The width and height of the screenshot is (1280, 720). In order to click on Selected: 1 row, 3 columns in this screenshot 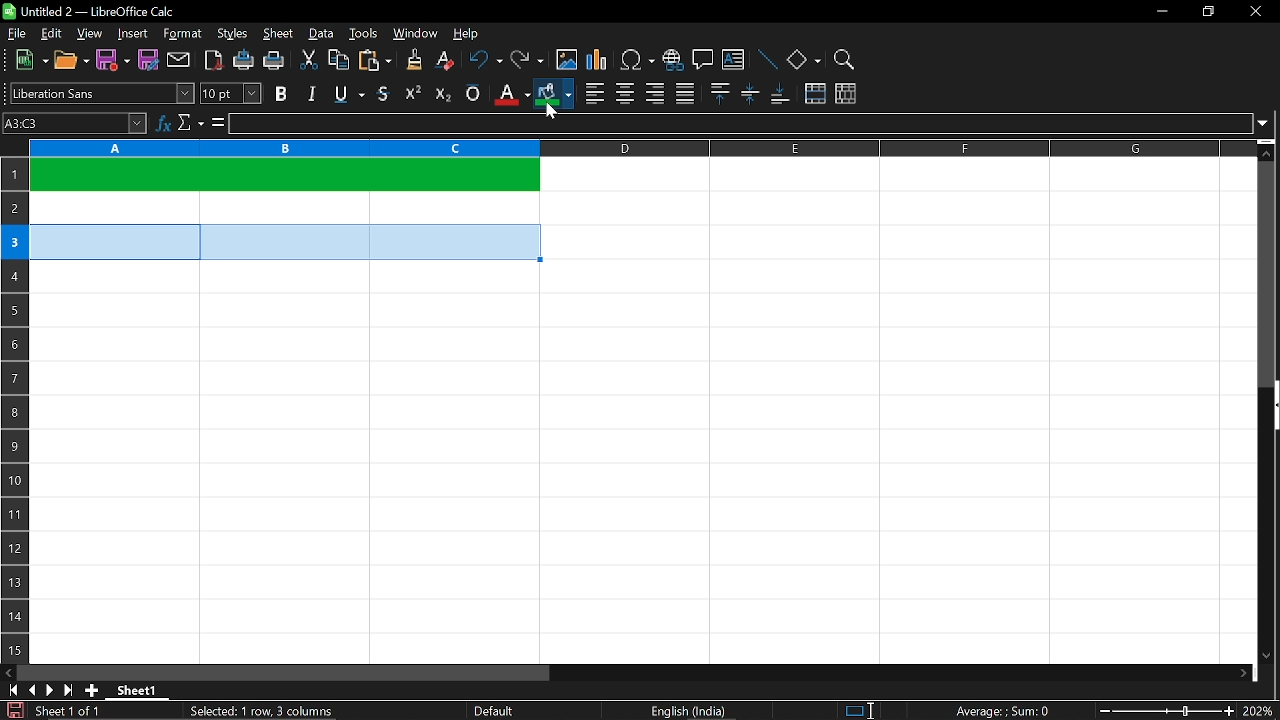, I will do `click(266, 711)`.